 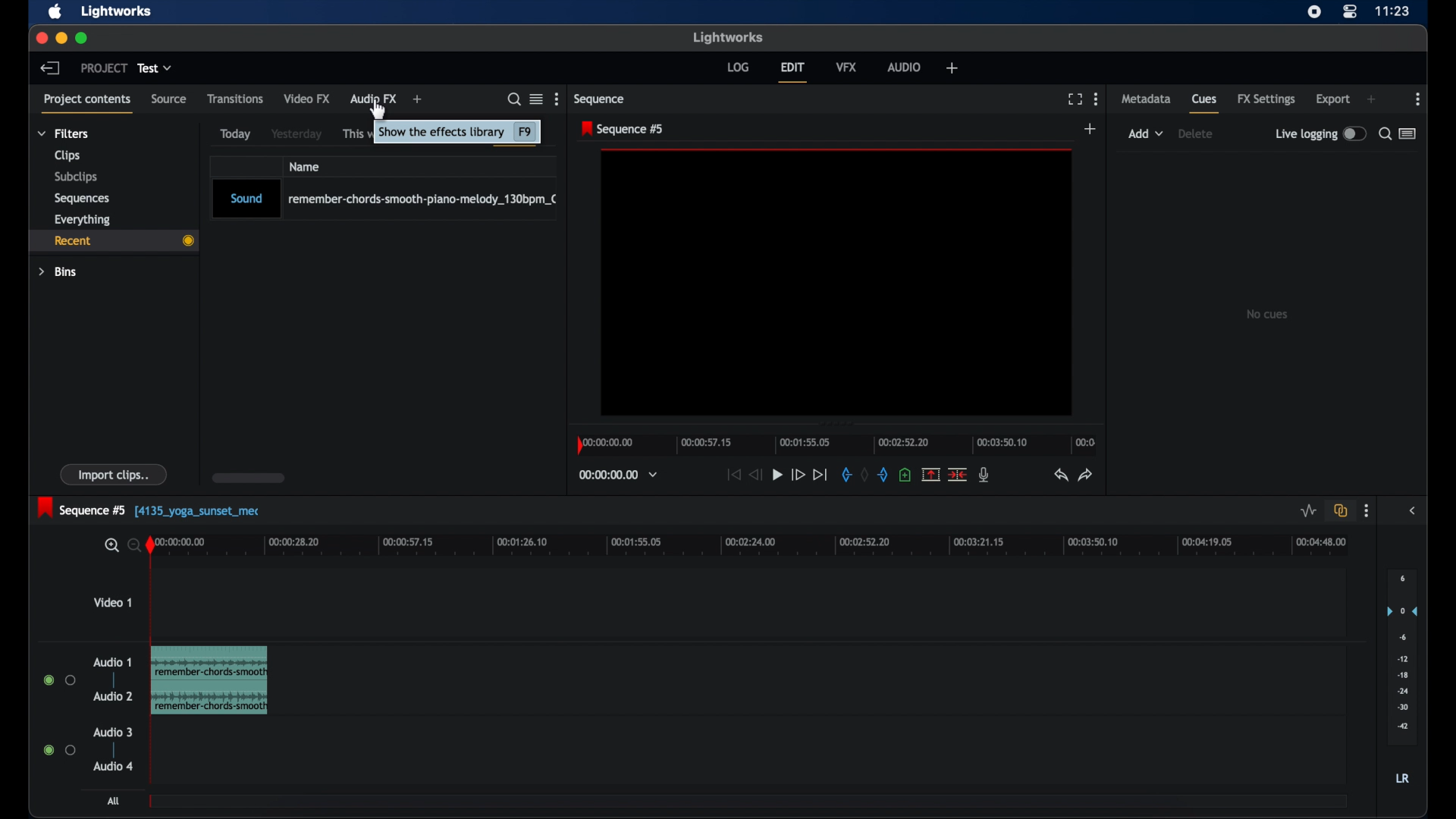 What do you see at coordinates (1348, 12) in the screenshot?
I see `control center` at bounding box center [1348, 12].